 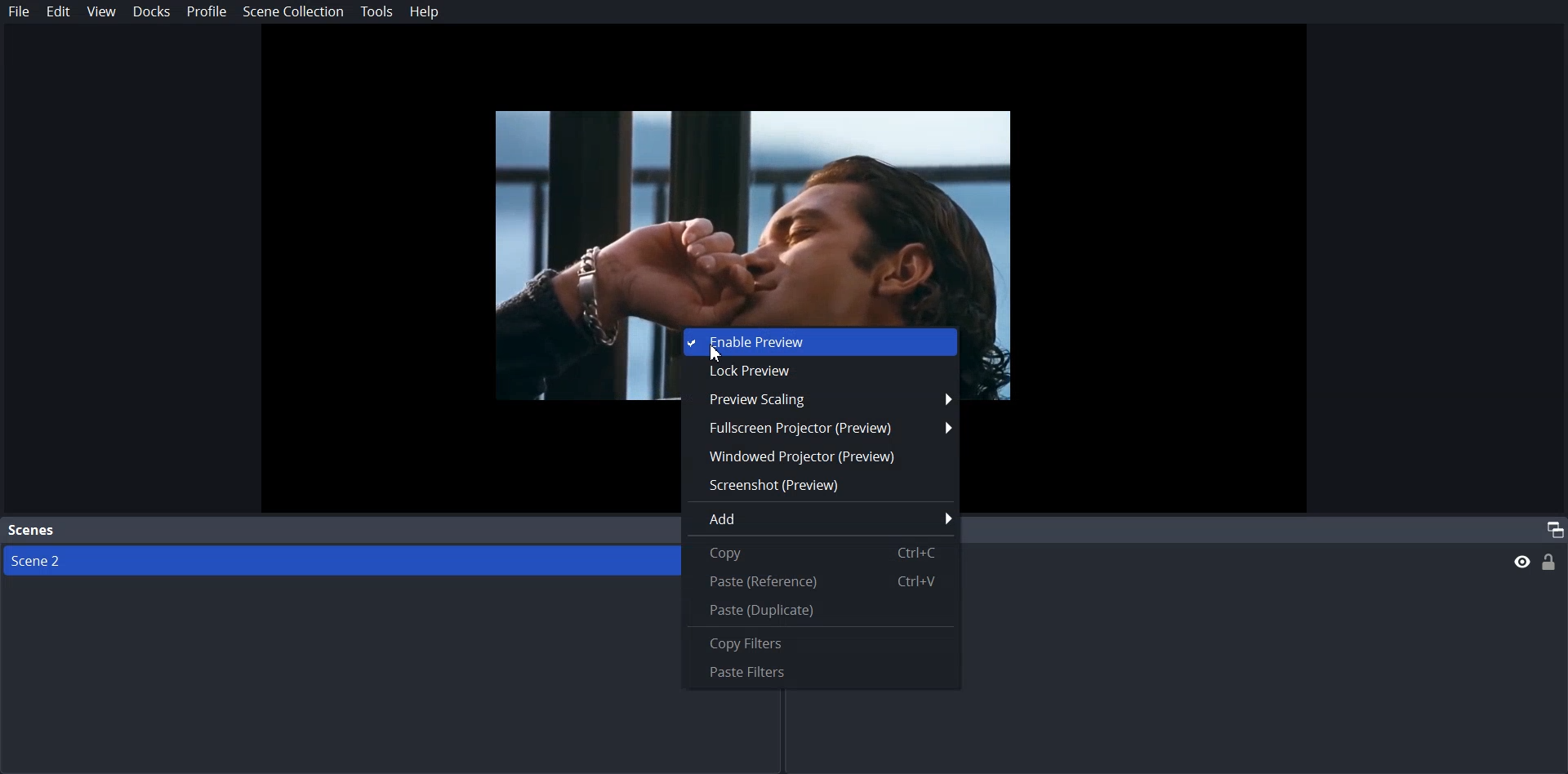 What do you see at coordinates (715, 356) in the screenshot?
I see `cursor` at bounding box center [715, 356].